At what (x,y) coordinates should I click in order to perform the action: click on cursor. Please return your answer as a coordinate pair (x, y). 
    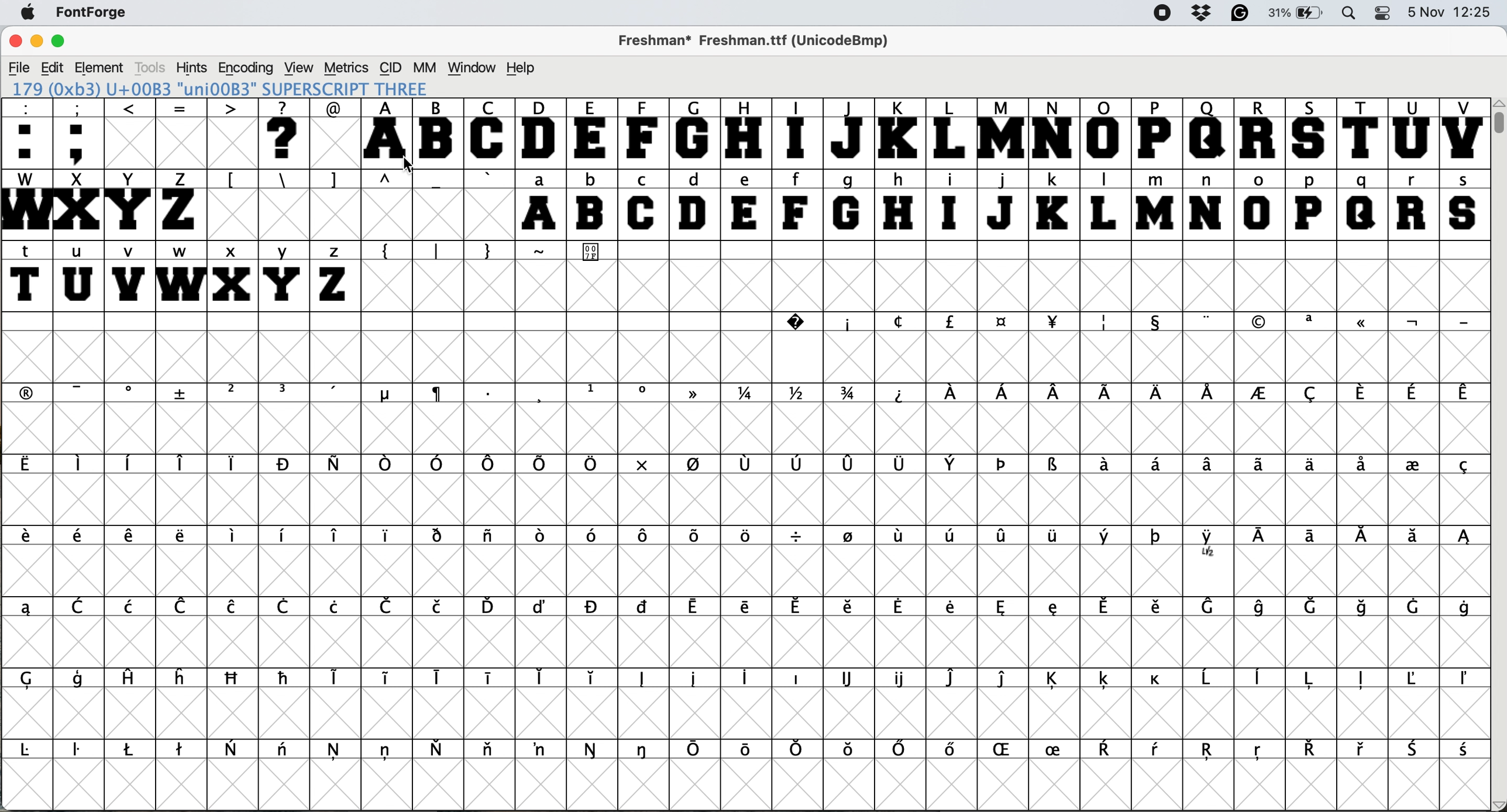
    Looking at the image, I should click on (402, 161).